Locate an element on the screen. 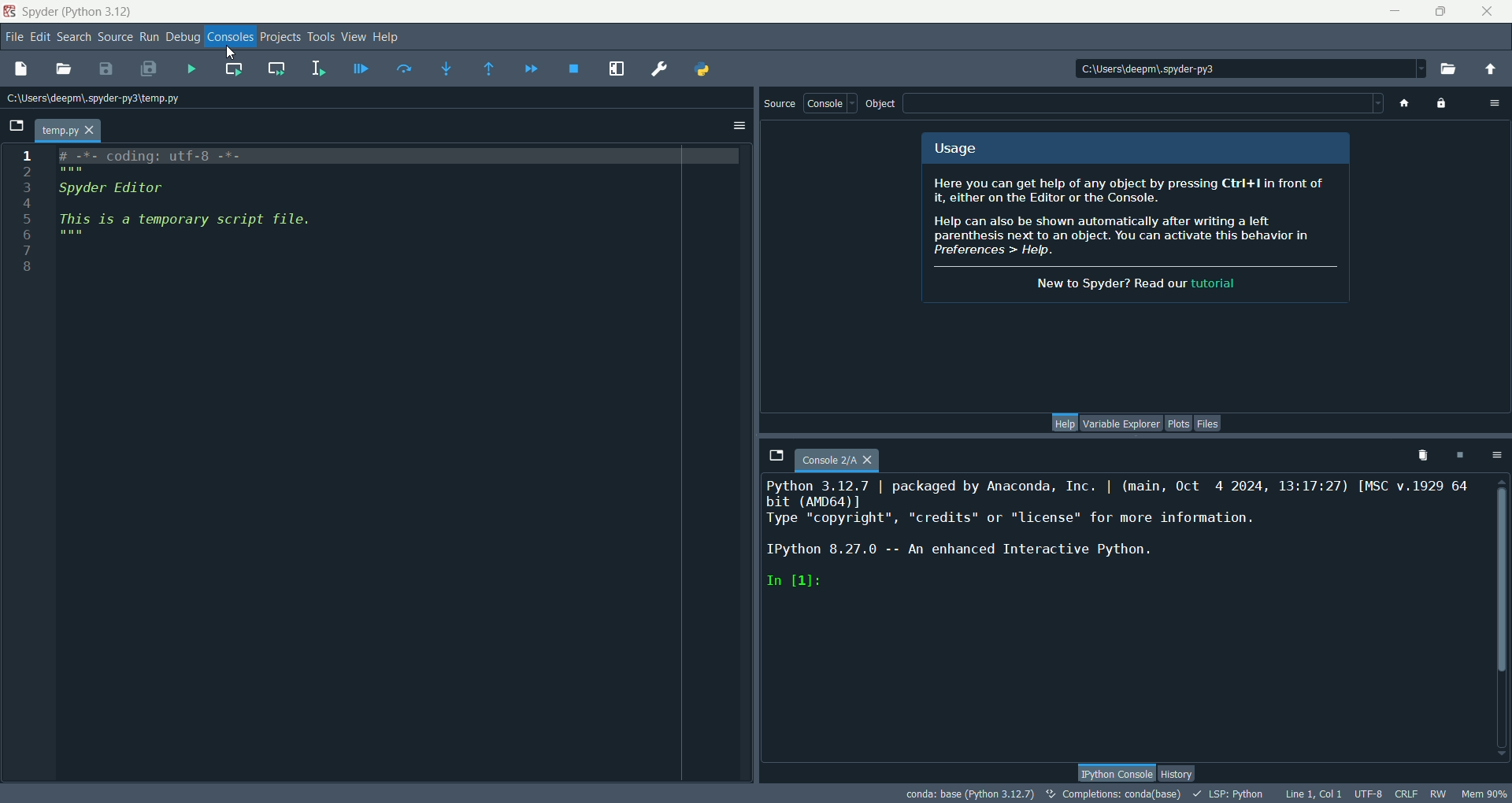  line, col is located at coordinates (1314, 793).